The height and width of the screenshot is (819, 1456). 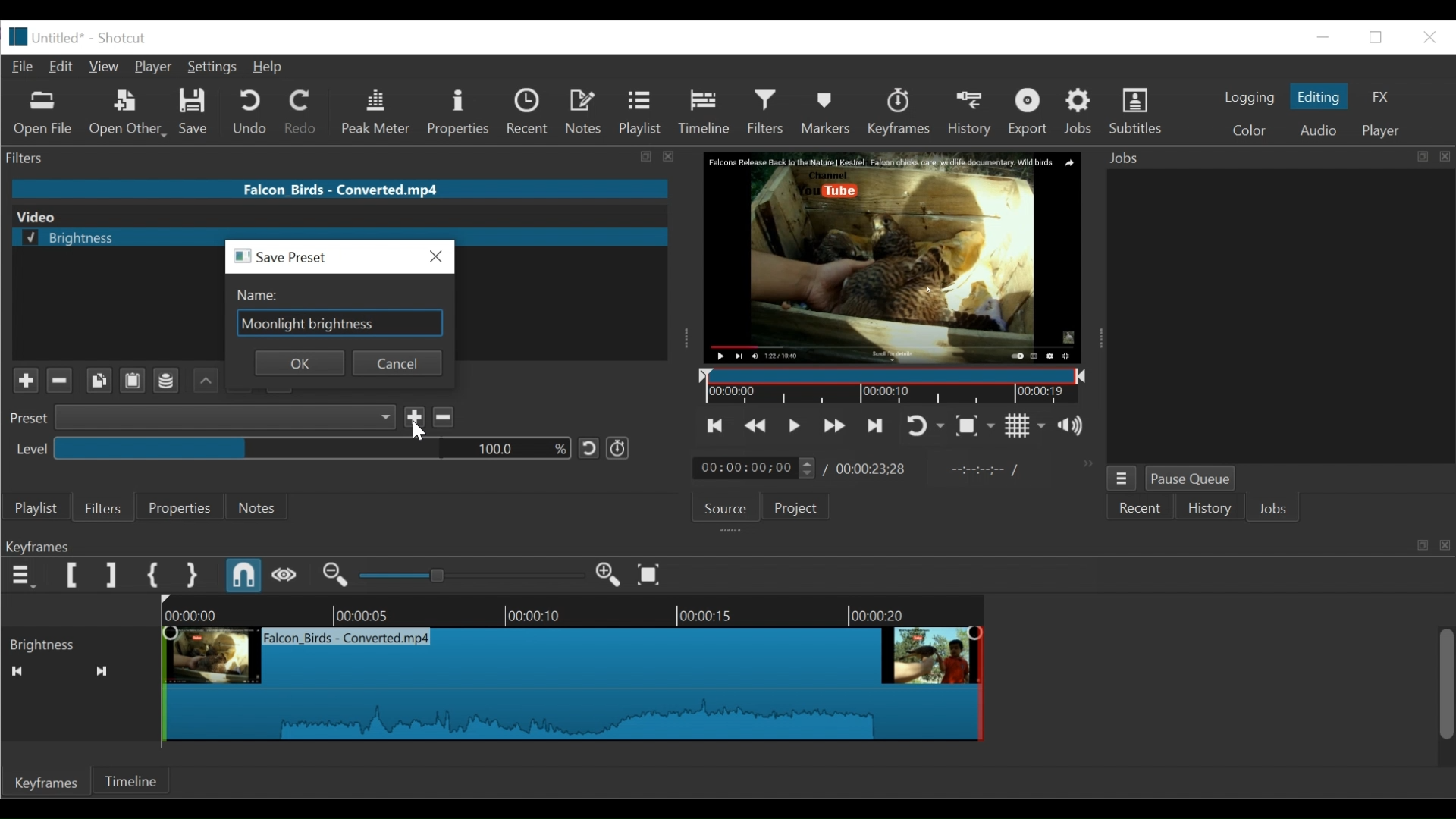 What do you see at coordinates (795, 681) in the screenshot?
I see `Keyframe` at bounding box center [795, 681].